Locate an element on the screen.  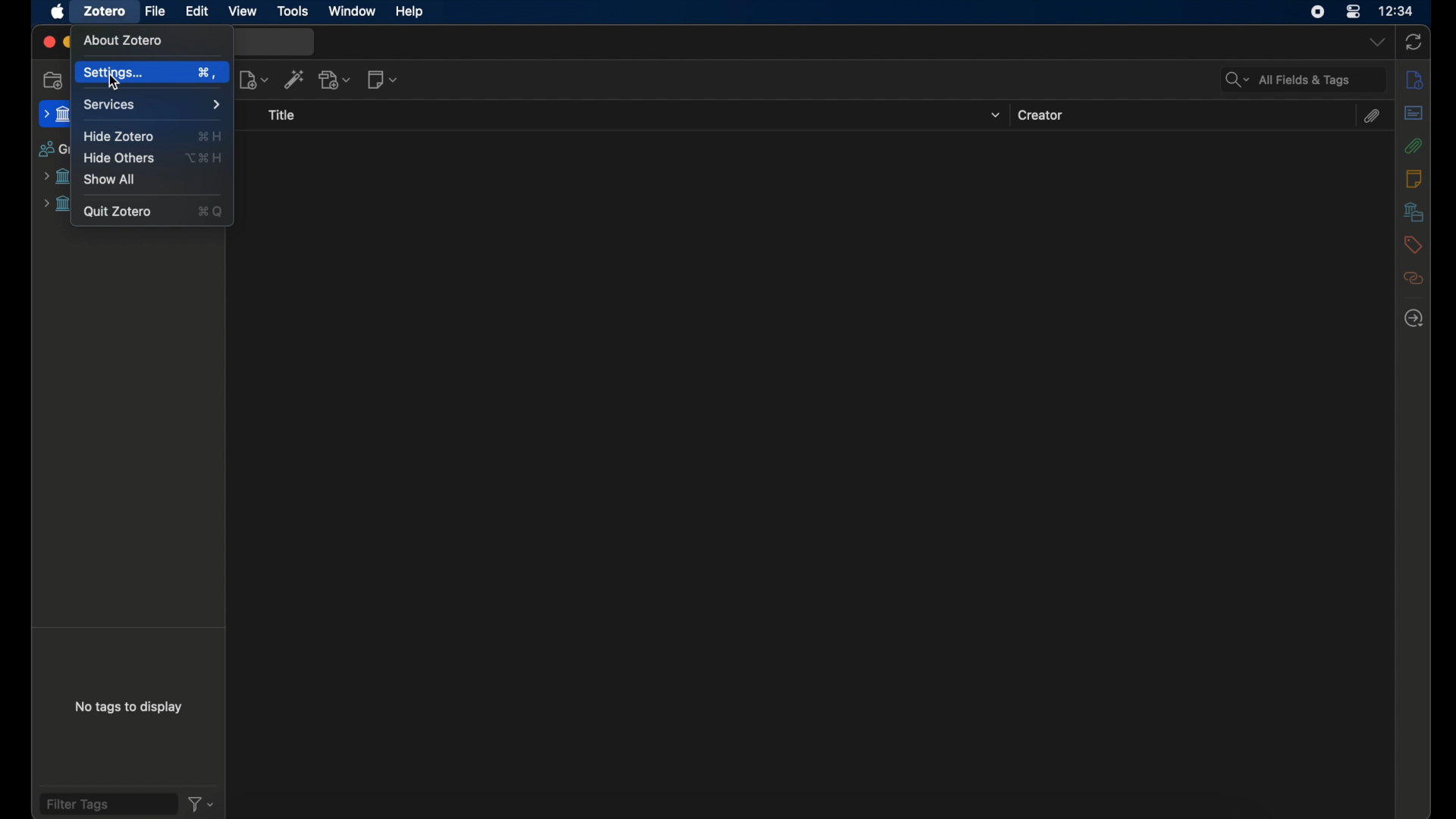
hide others is located at coordinates (118, 158).